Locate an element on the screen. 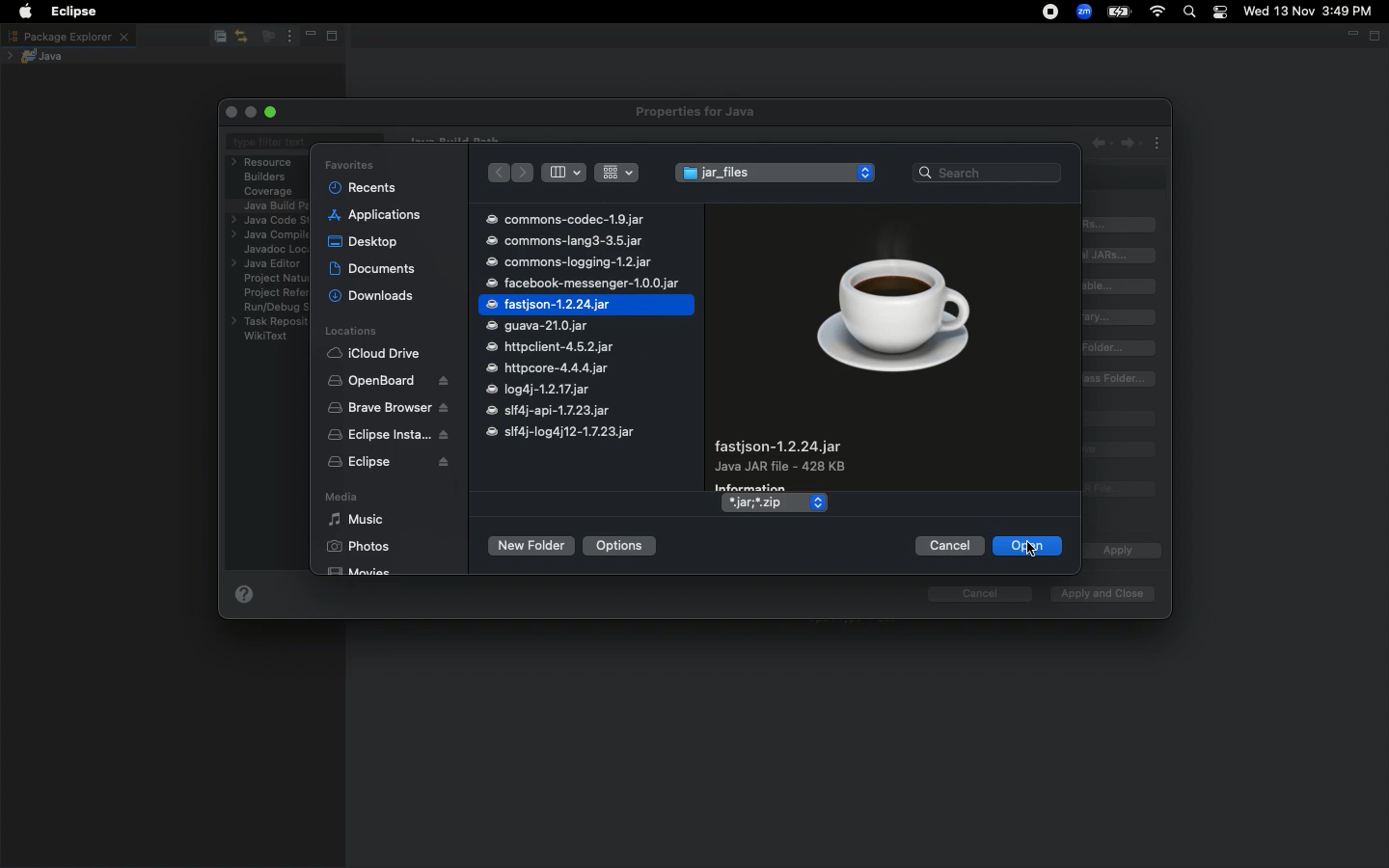  OpenBoard is located at coordinates (390, 381).